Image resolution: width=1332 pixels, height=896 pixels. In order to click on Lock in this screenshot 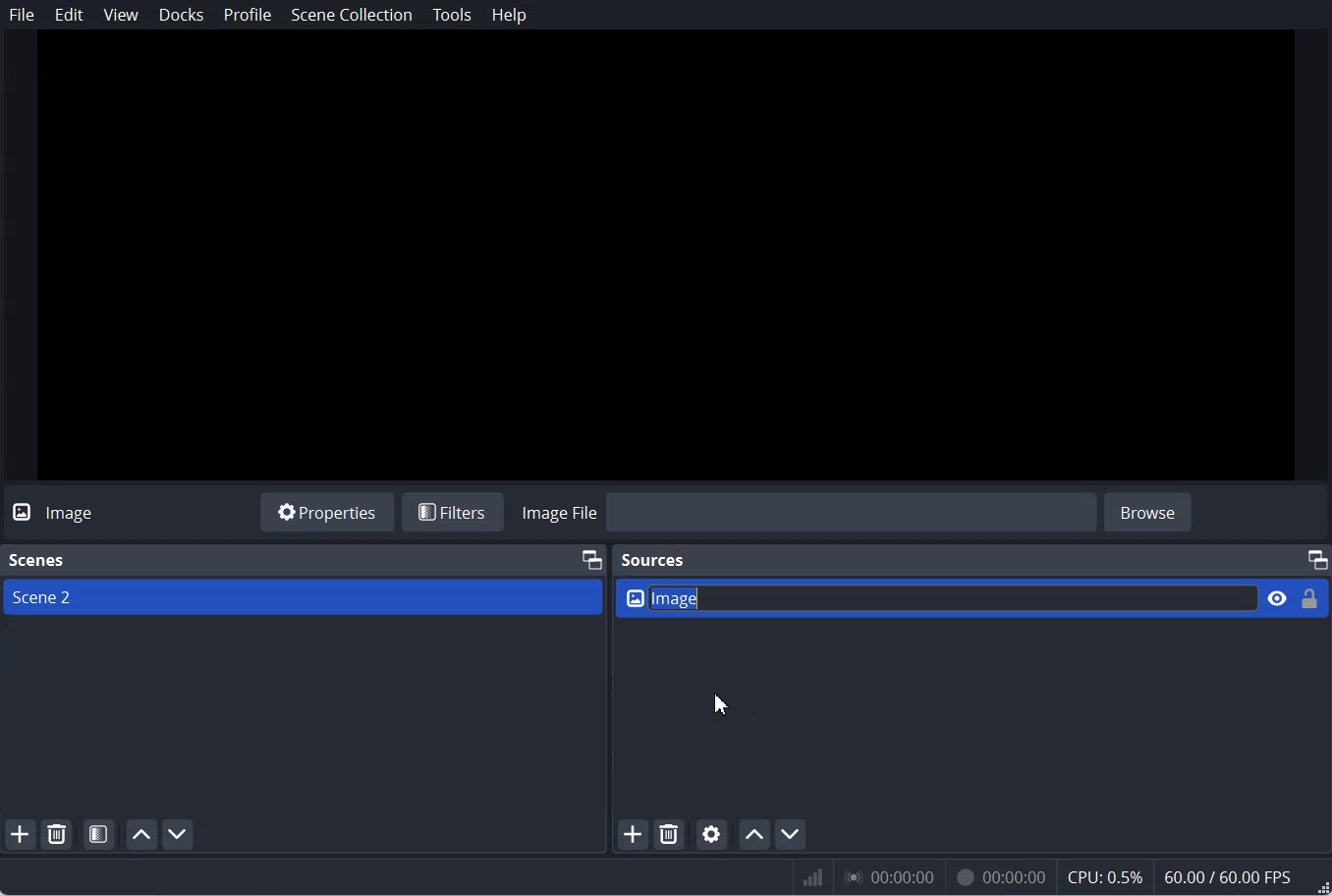, I will do `click(1309, 598)`.